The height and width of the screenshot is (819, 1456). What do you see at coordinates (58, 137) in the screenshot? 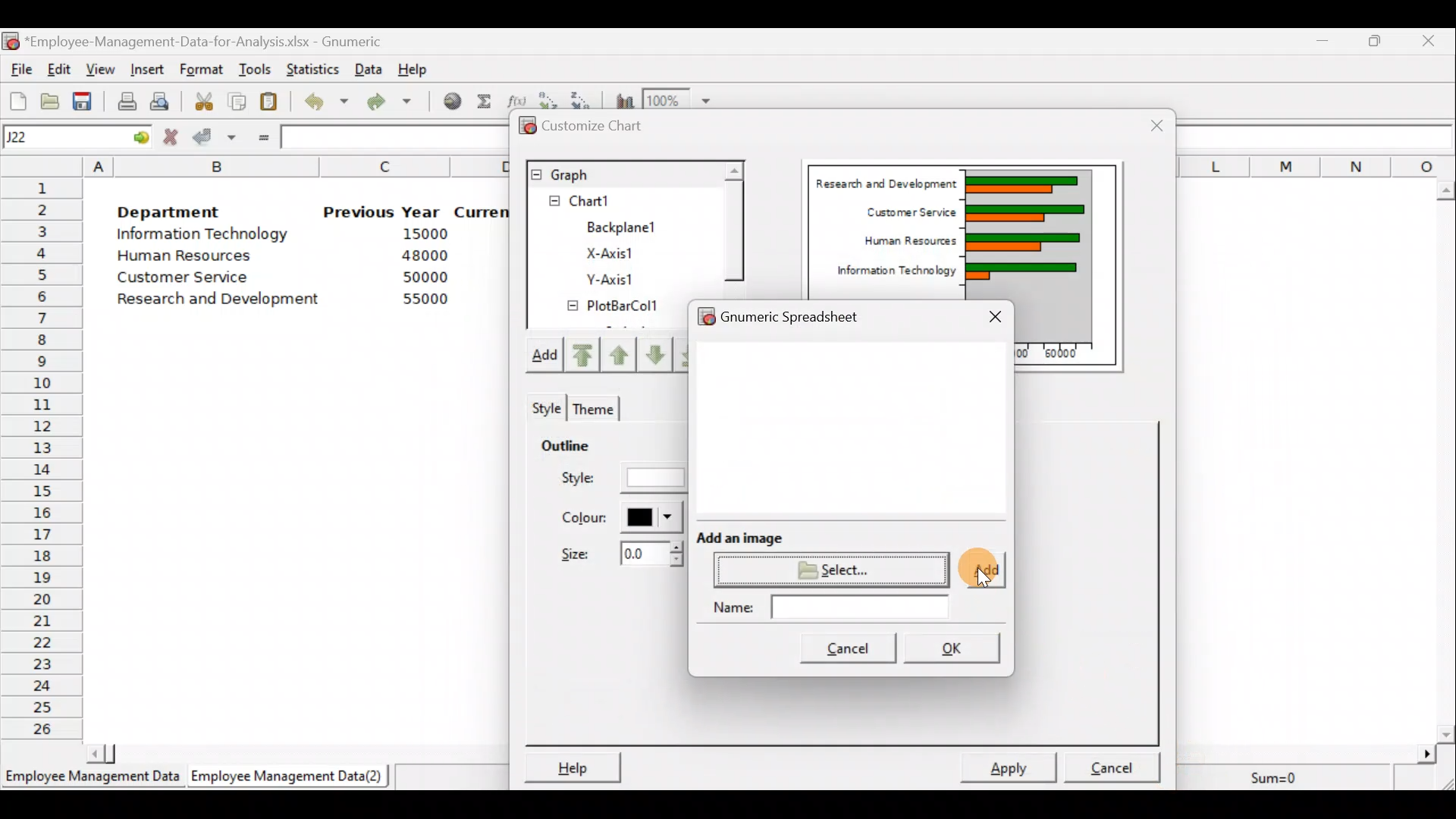
I see `Cell name J22` at bounding box center [58, 137].